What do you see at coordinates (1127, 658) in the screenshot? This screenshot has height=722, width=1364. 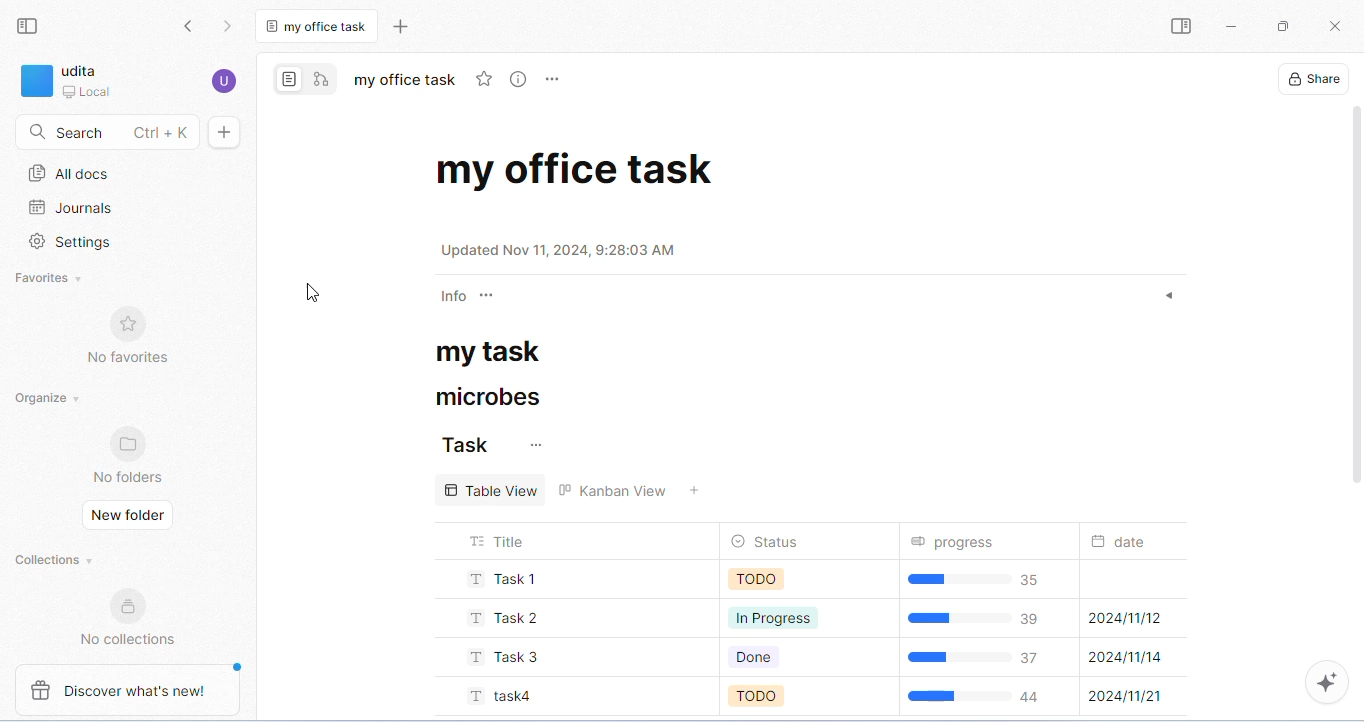 I see `submission date of task3` at bounding box center [1127, 658].